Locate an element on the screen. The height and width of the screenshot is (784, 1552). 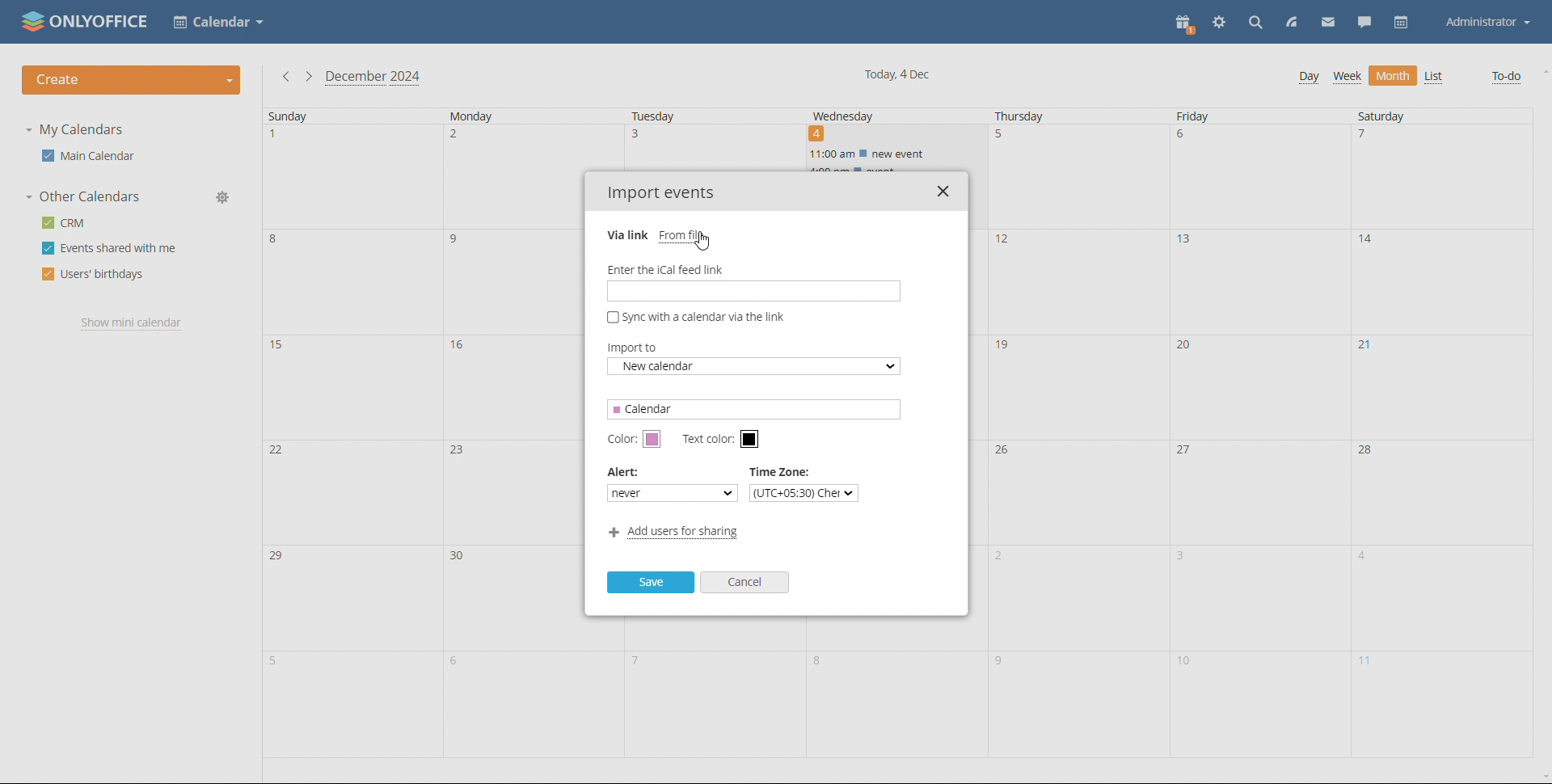
set text color is located at coordinates (750, 439).